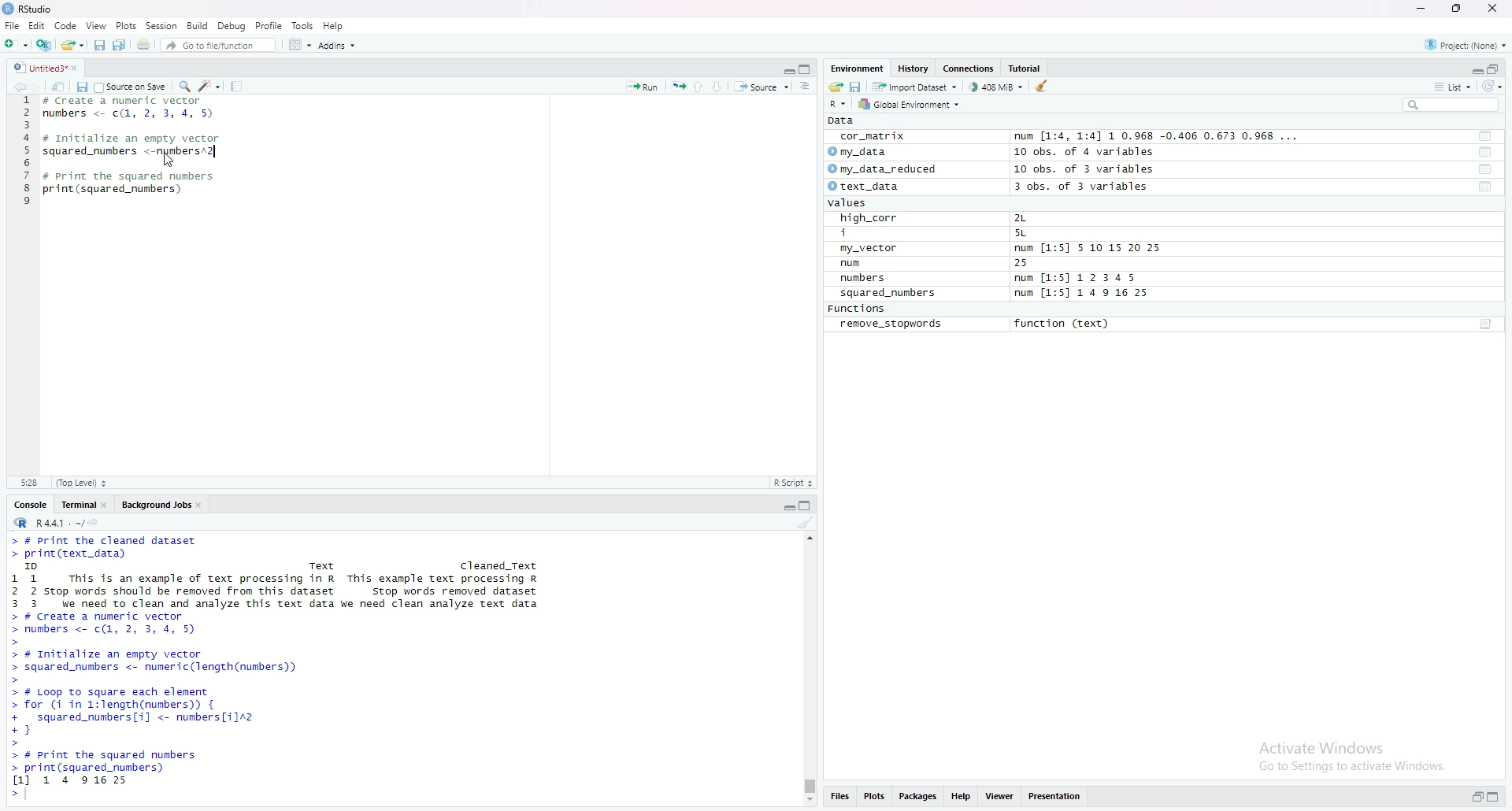  Describe the element at coordinates (856, 86) in the screenshot. I see `save workspace` at that location.